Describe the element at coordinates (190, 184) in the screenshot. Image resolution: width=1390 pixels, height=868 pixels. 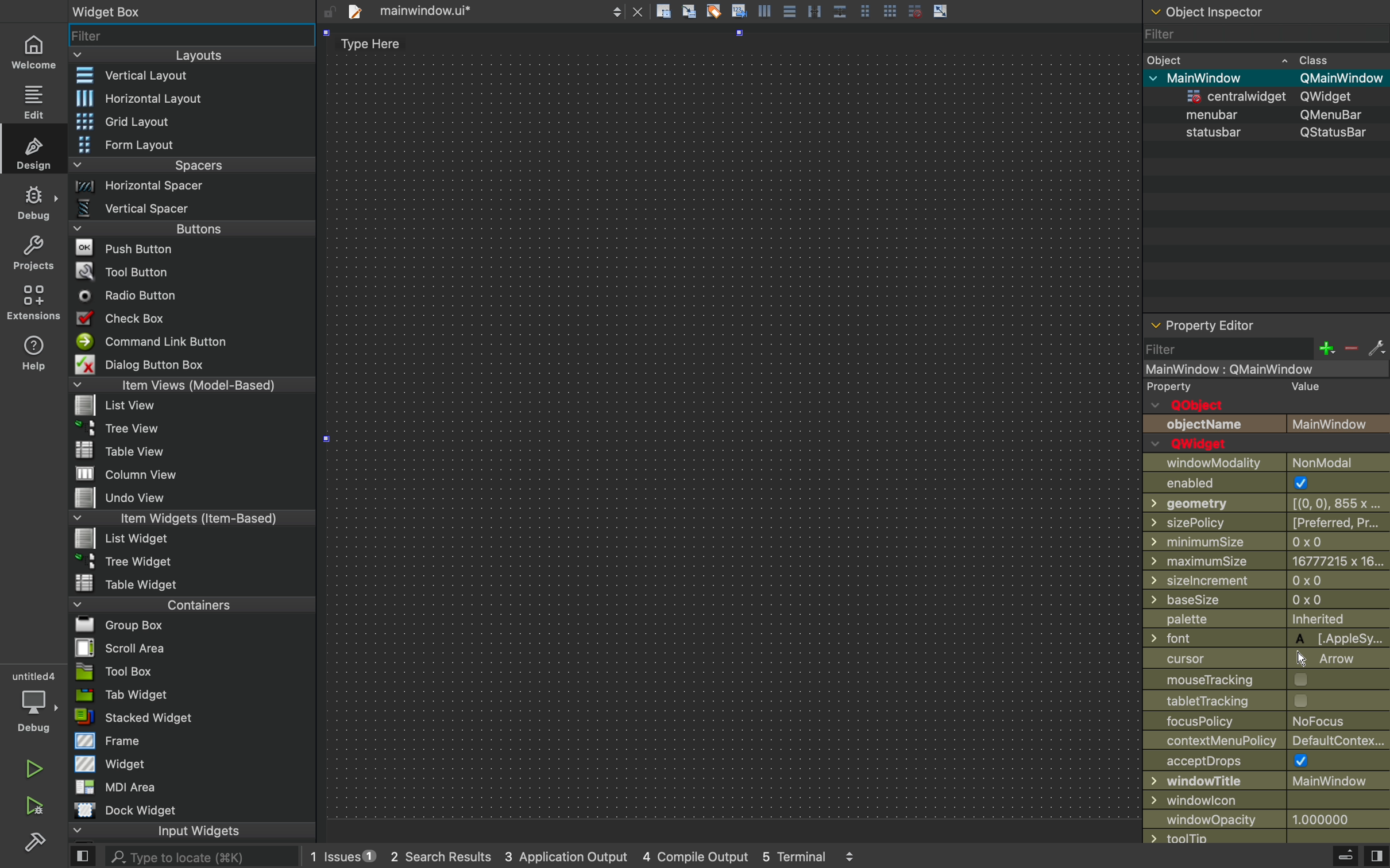
I see `horizontal spacer` at that location.